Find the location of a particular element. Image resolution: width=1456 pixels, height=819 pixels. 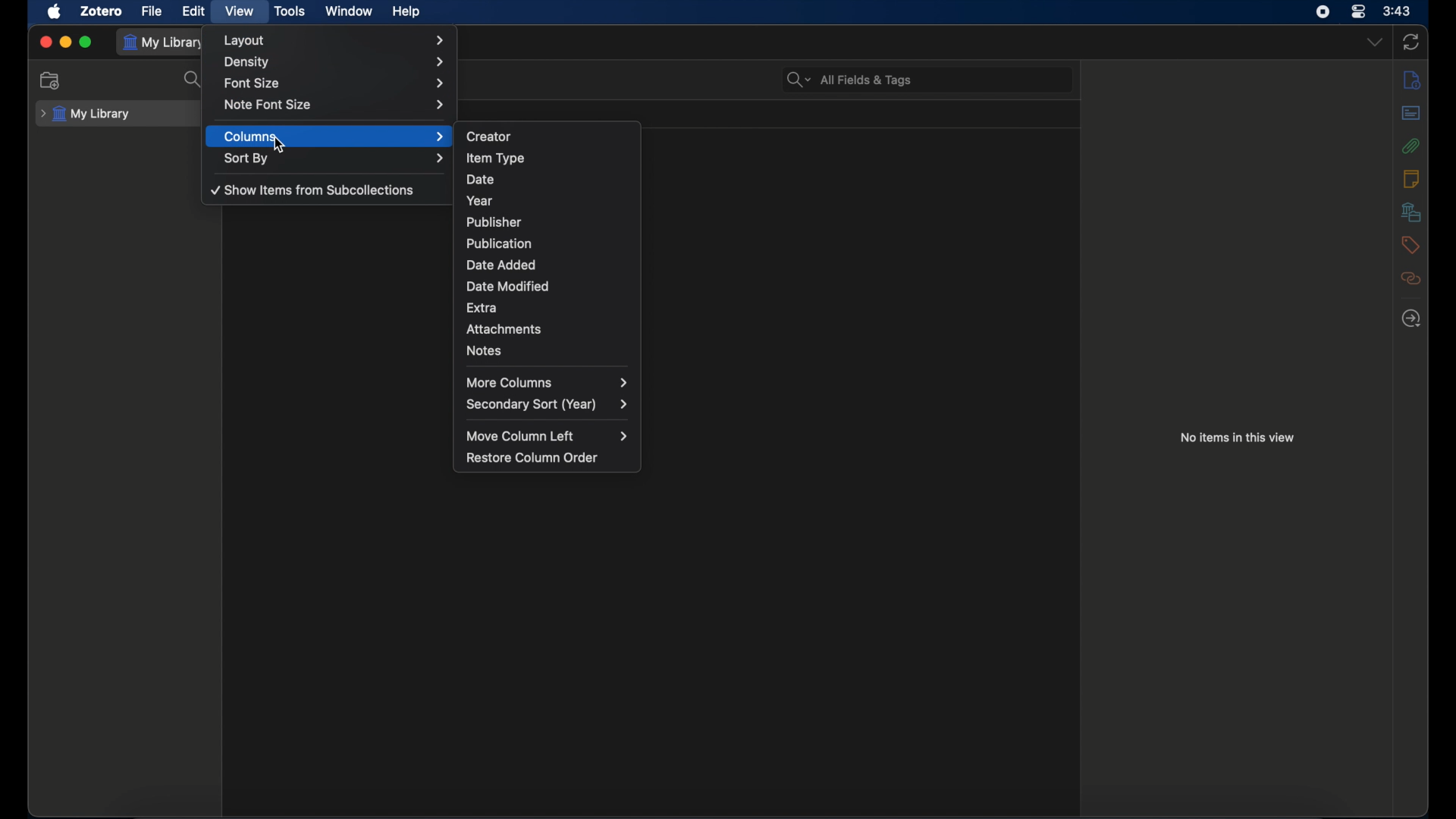

publication is located at coordinates (551, 243).